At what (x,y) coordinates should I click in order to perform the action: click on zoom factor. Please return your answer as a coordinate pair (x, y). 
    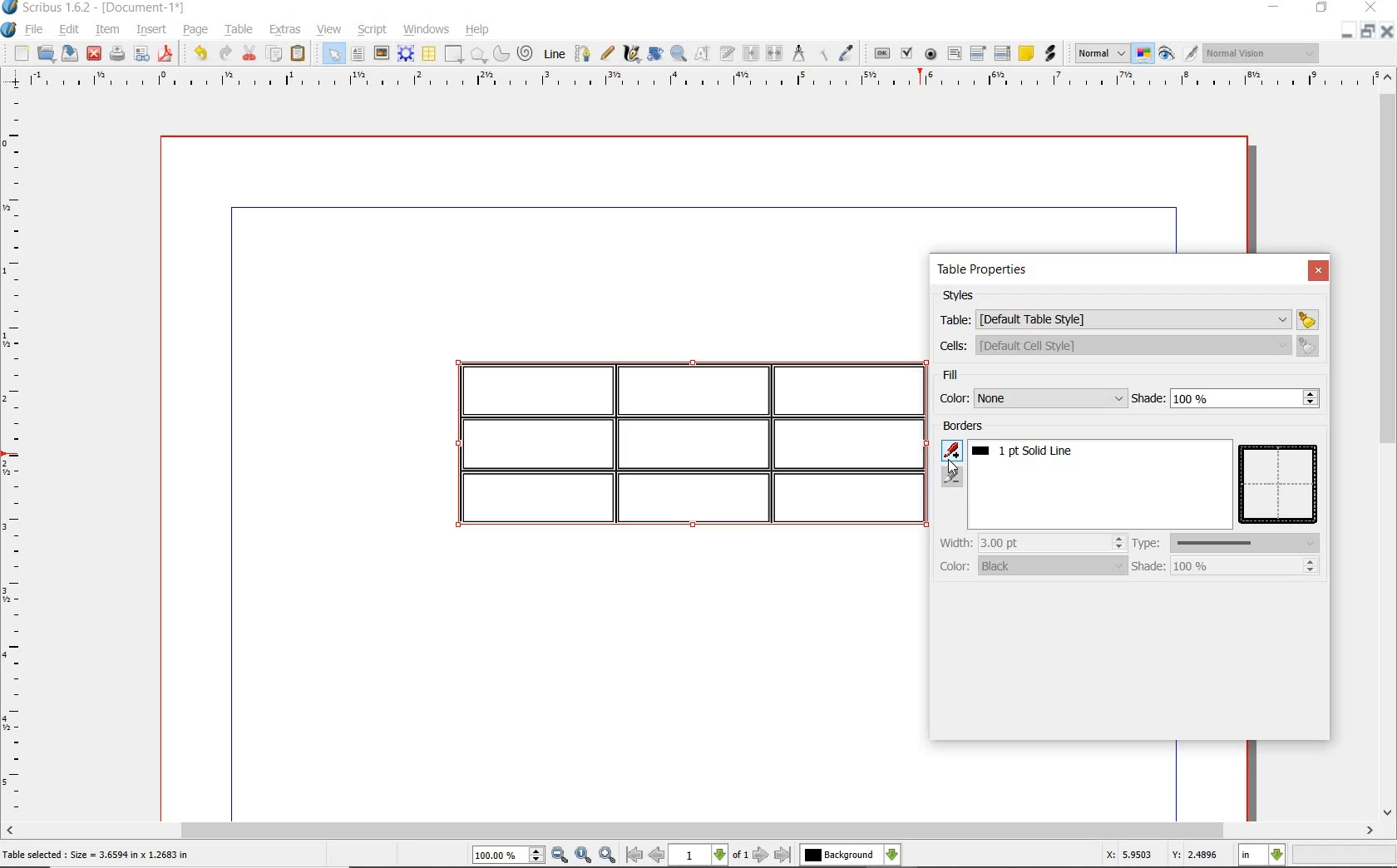
    Looking at the image, I should click on (1344, 856).